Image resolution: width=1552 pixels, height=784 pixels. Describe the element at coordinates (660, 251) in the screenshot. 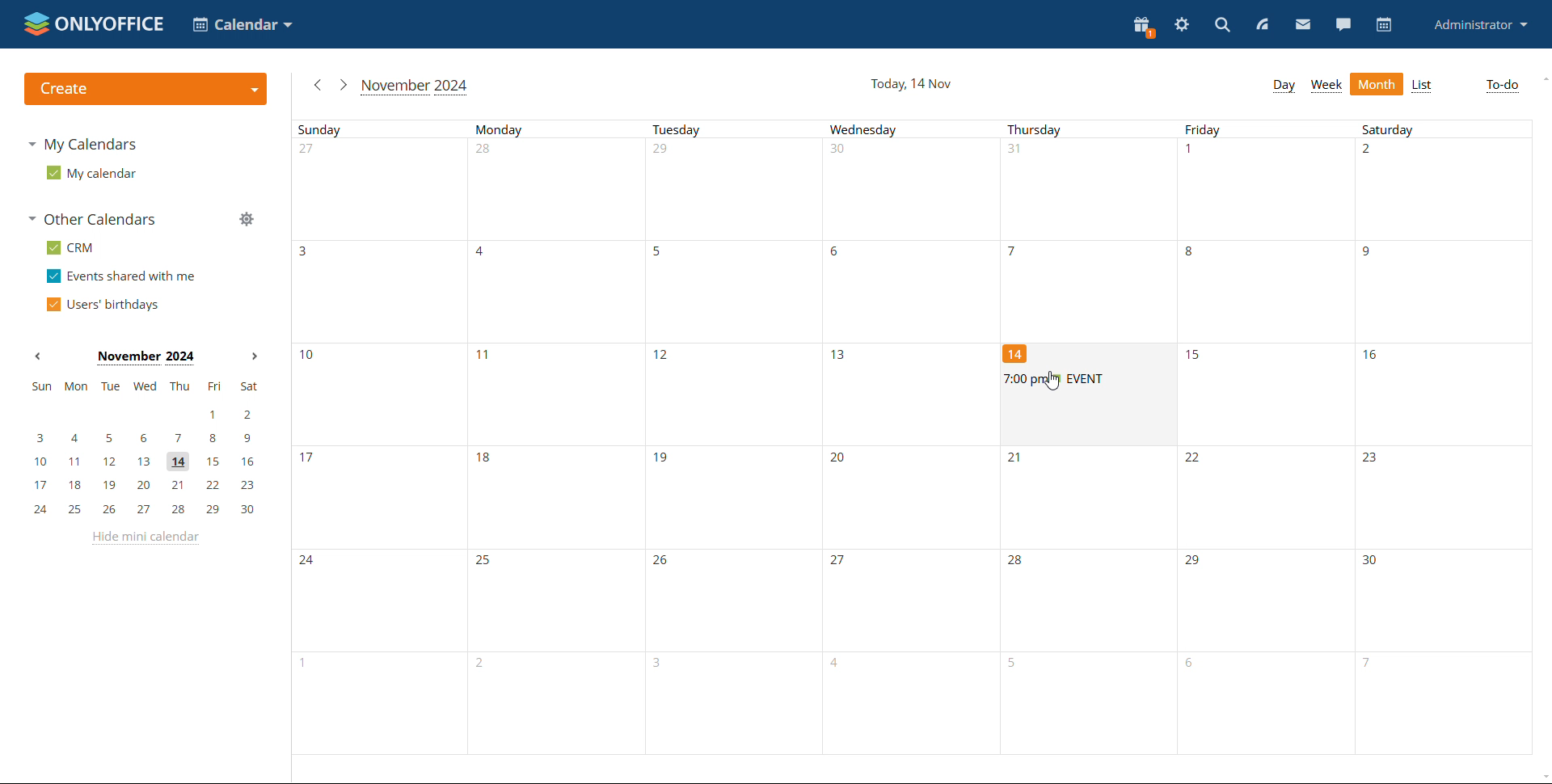

I see `number` at that location.